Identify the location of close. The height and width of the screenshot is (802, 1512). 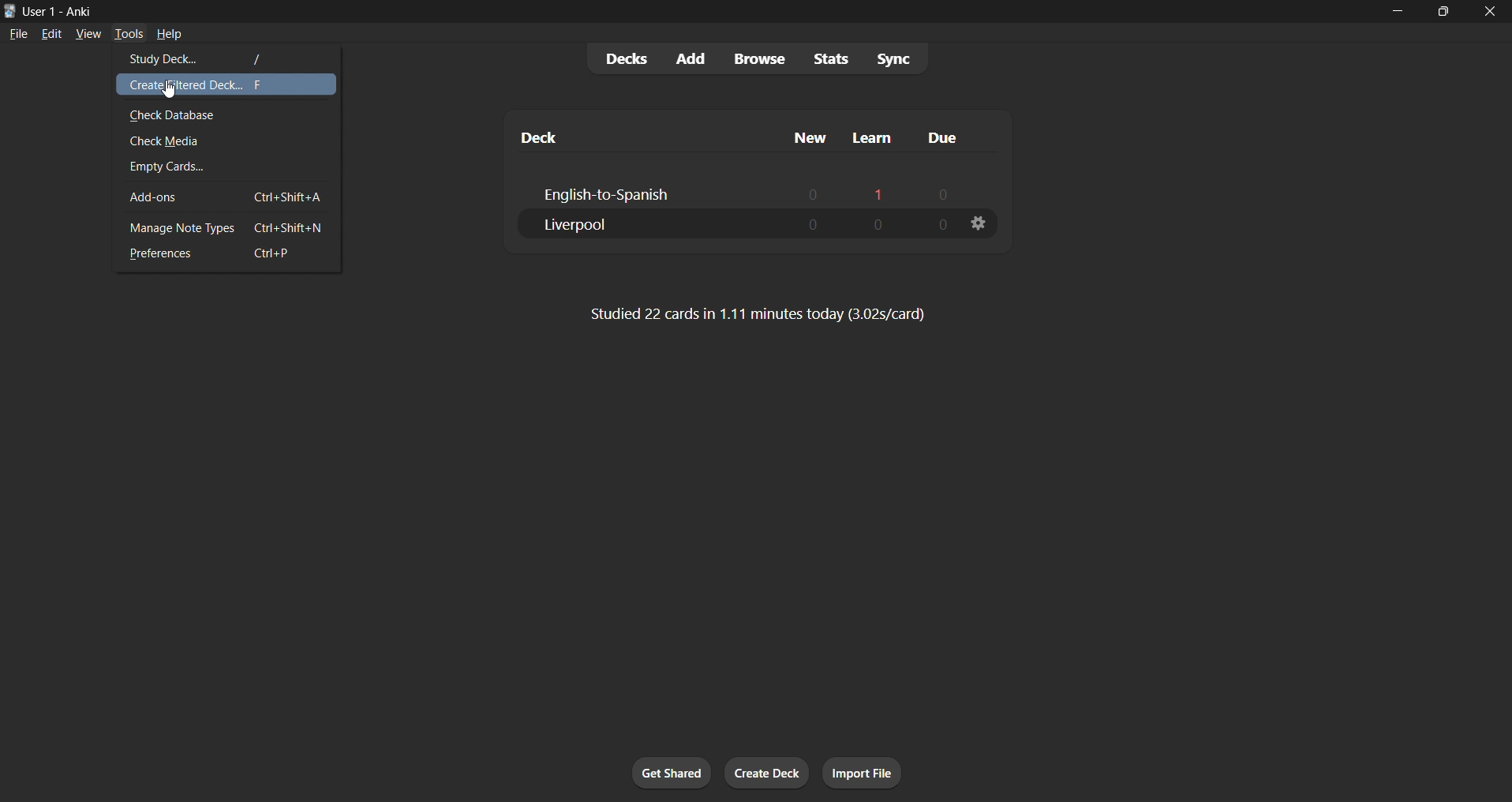
(1489, 12).